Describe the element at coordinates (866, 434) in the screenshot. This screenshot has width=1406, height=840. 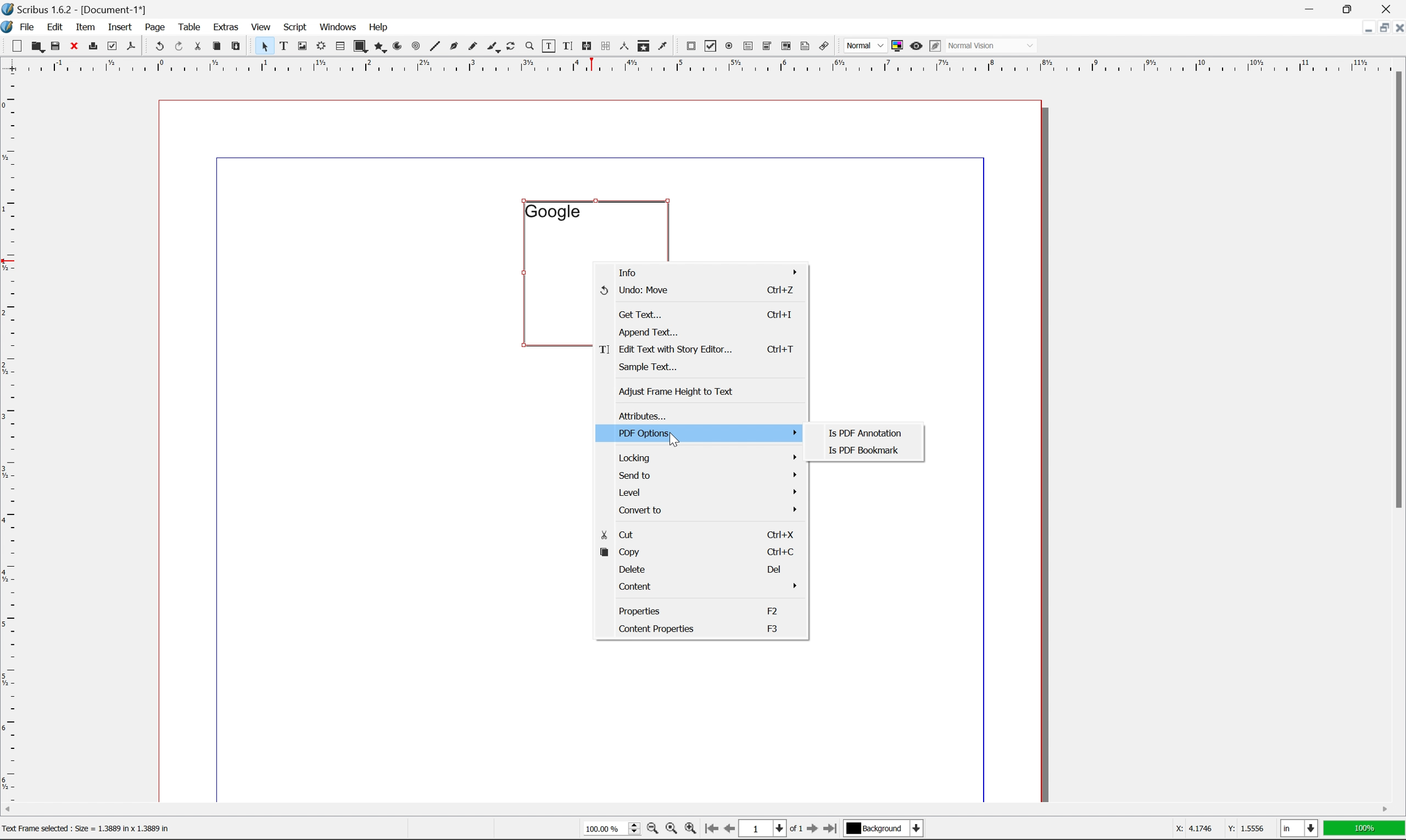
I see `is pdf annotation` at that location.